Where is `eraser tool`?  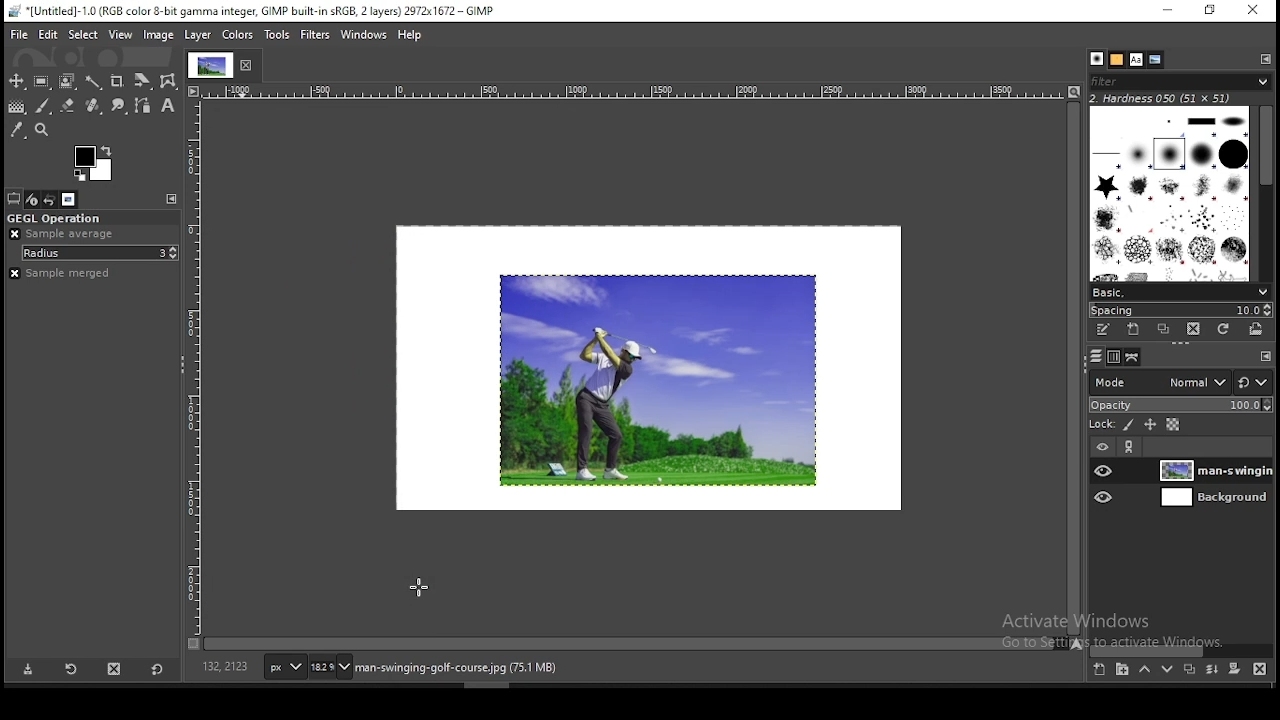 eraser tool is located at coordinates (68, 106).